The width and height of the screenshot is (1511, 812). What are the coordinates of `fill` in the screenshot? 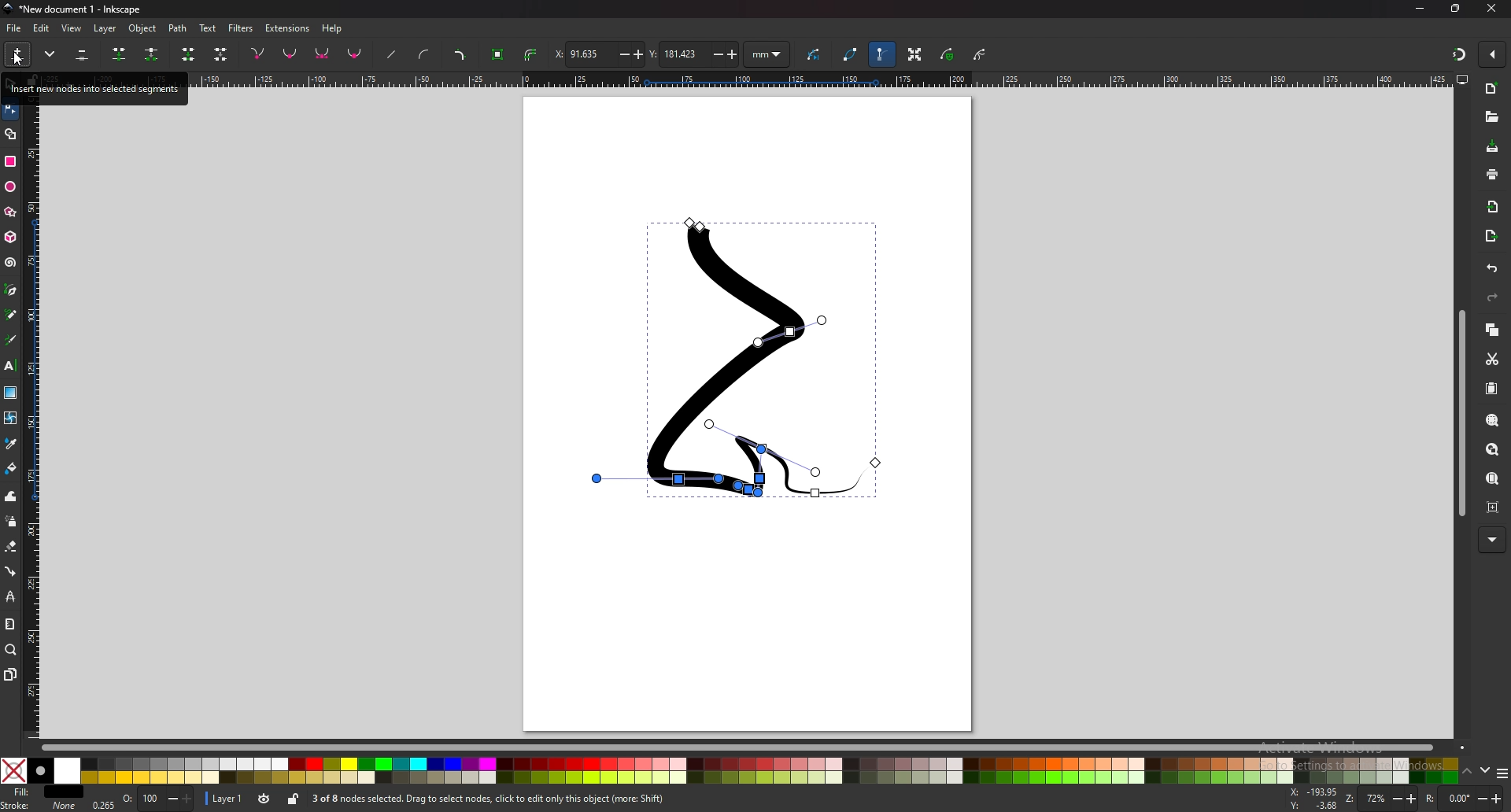 It's located at (43, 792).